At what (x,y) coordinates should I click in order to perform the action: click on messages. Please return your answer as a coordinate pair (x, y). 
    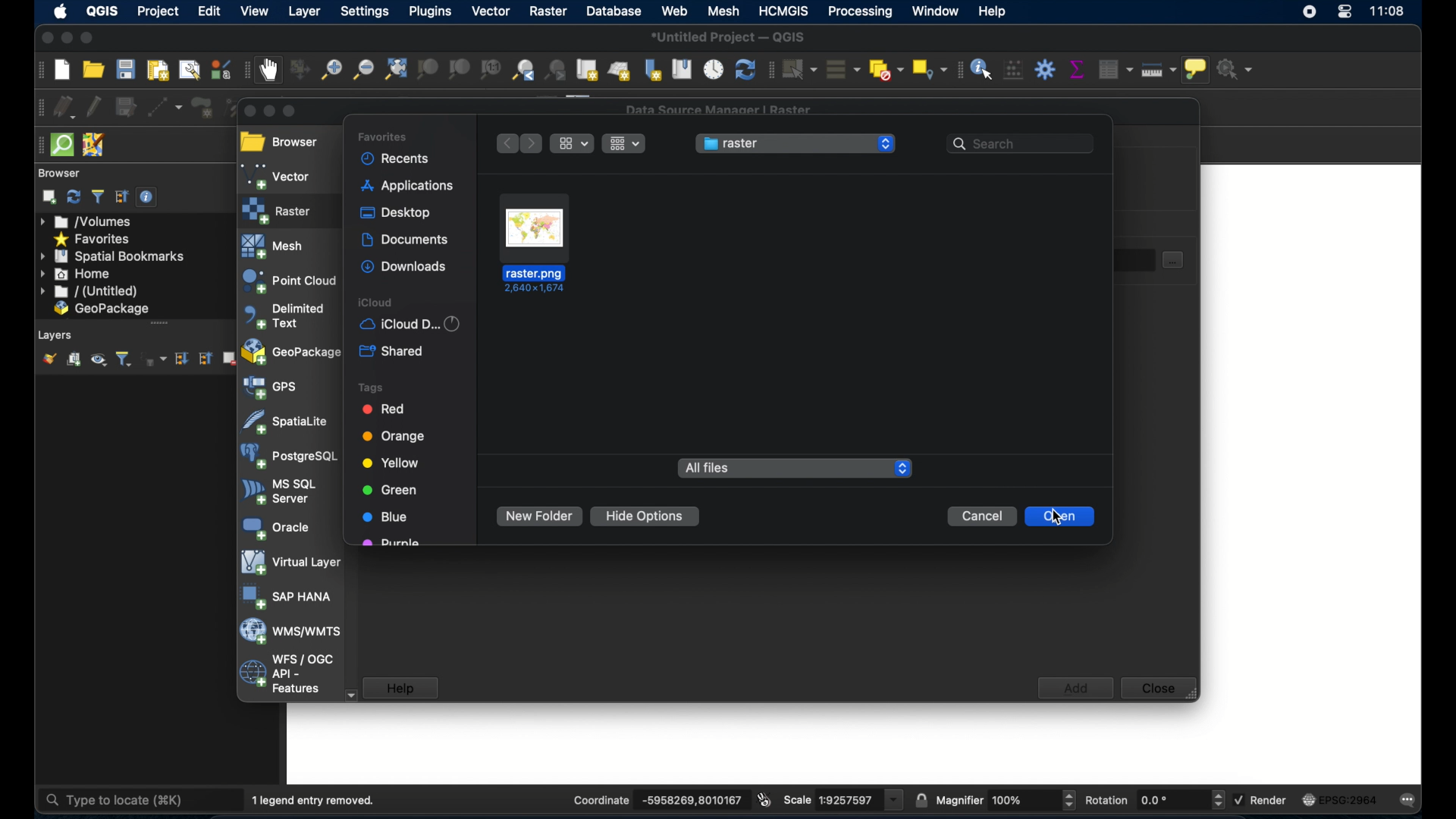
    Looking at the image, I should click on (1412, 799).